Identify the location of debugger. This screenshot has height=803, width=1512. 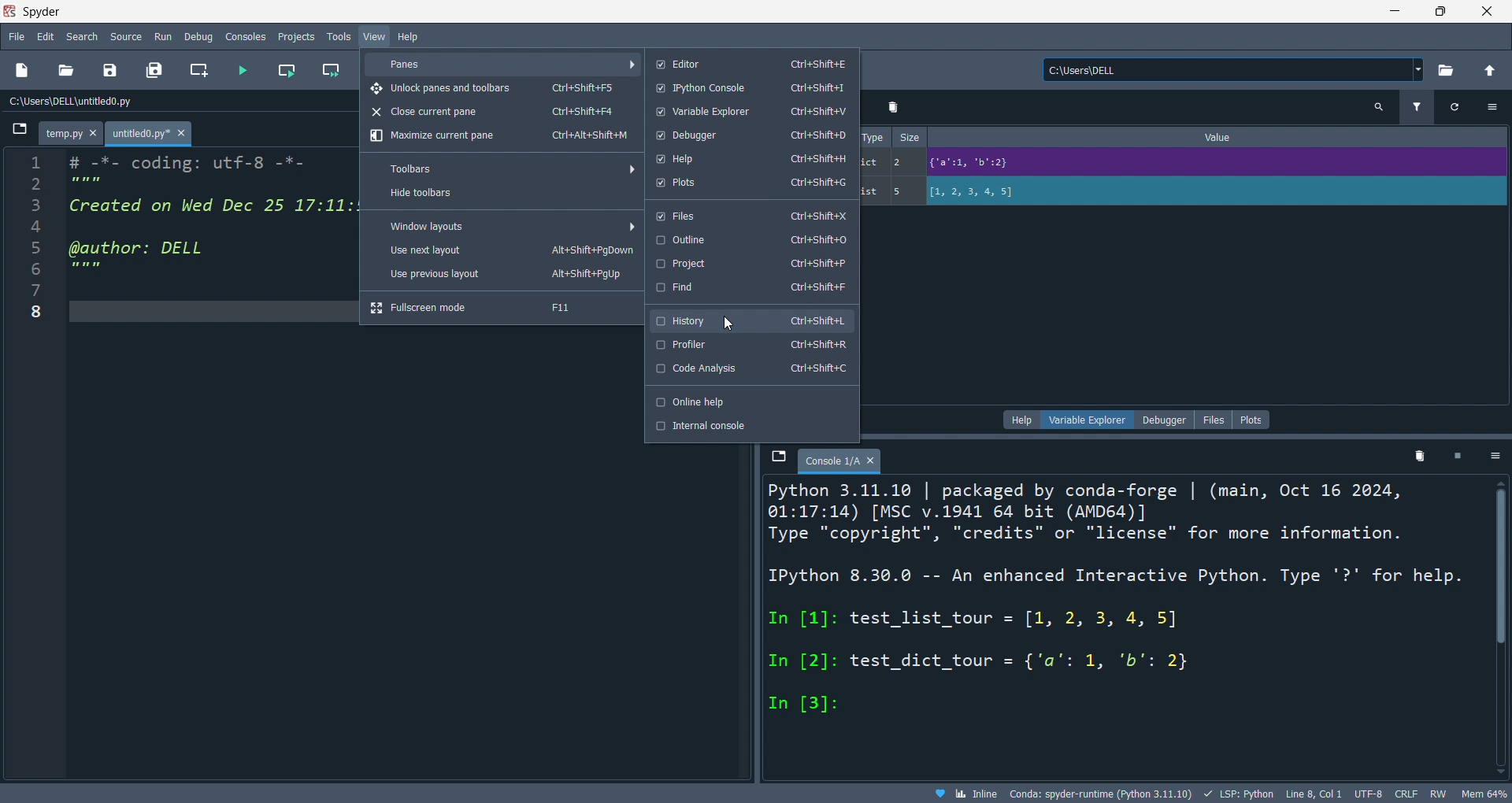
(749, 135).